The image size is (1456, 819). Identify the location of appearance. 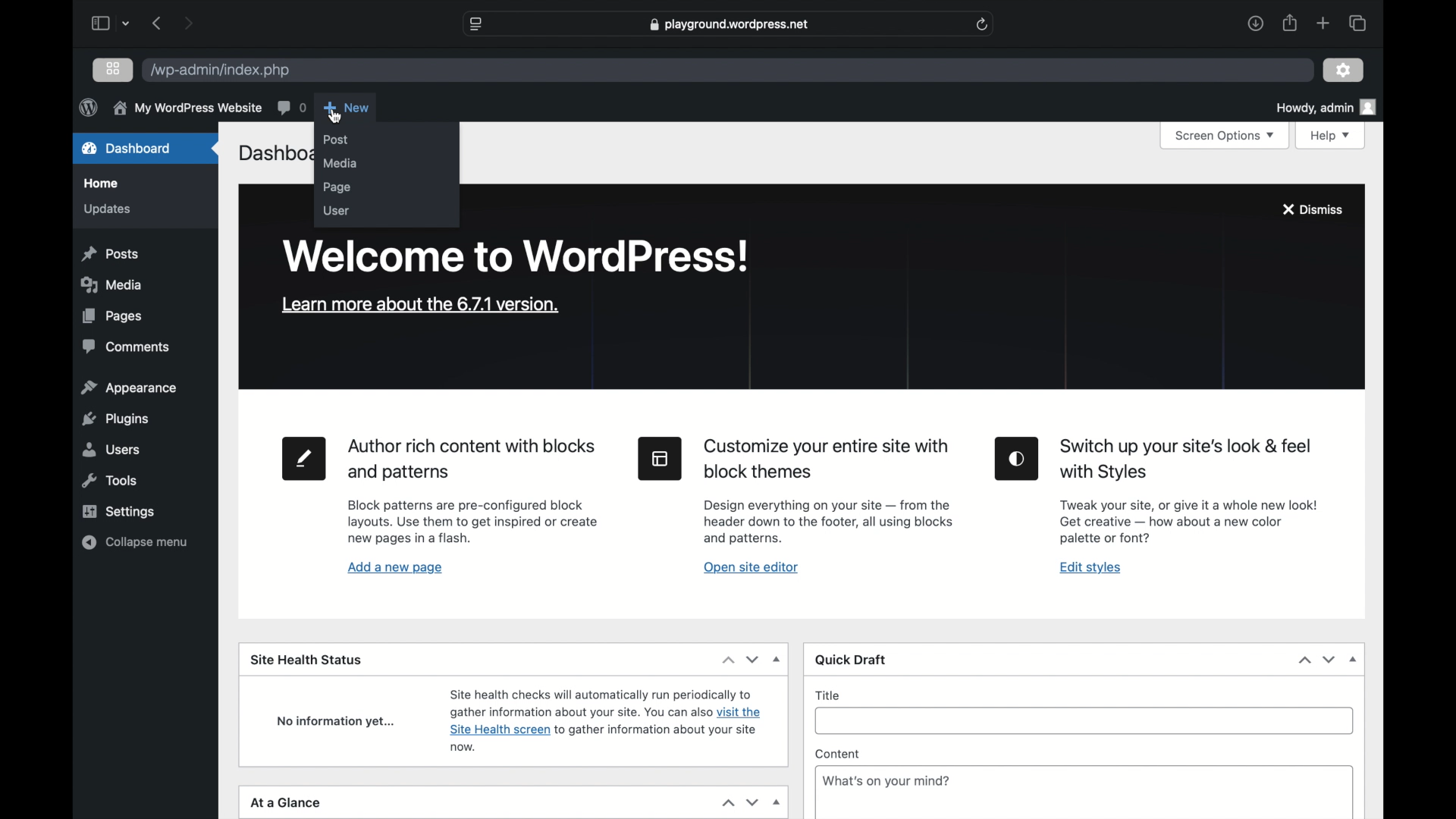
(129, 388).